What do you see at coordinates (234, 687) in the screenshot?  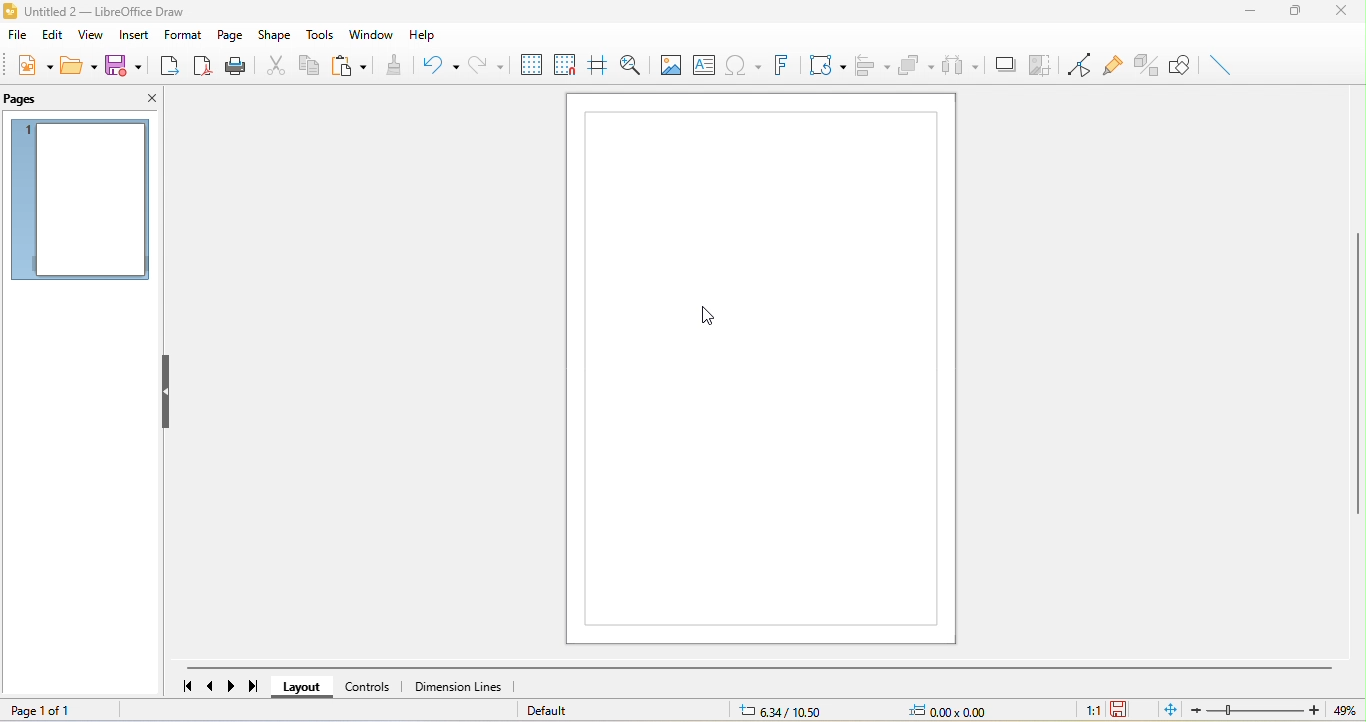 I see `next page` at bounding box center [234, 687].